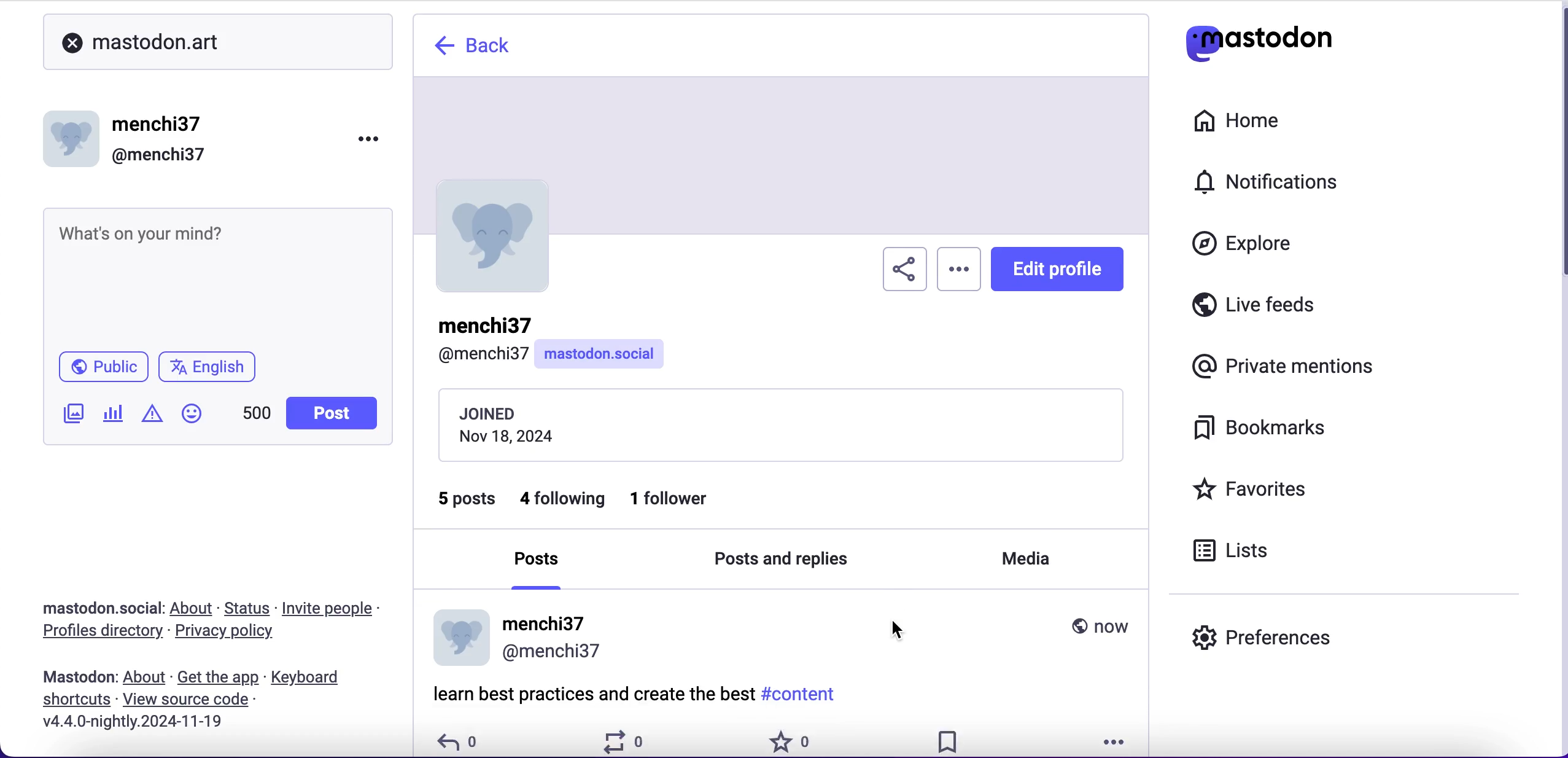 The height and width of the screenshot is (758, 1568). I want to click on joining date, so click(780, 426).